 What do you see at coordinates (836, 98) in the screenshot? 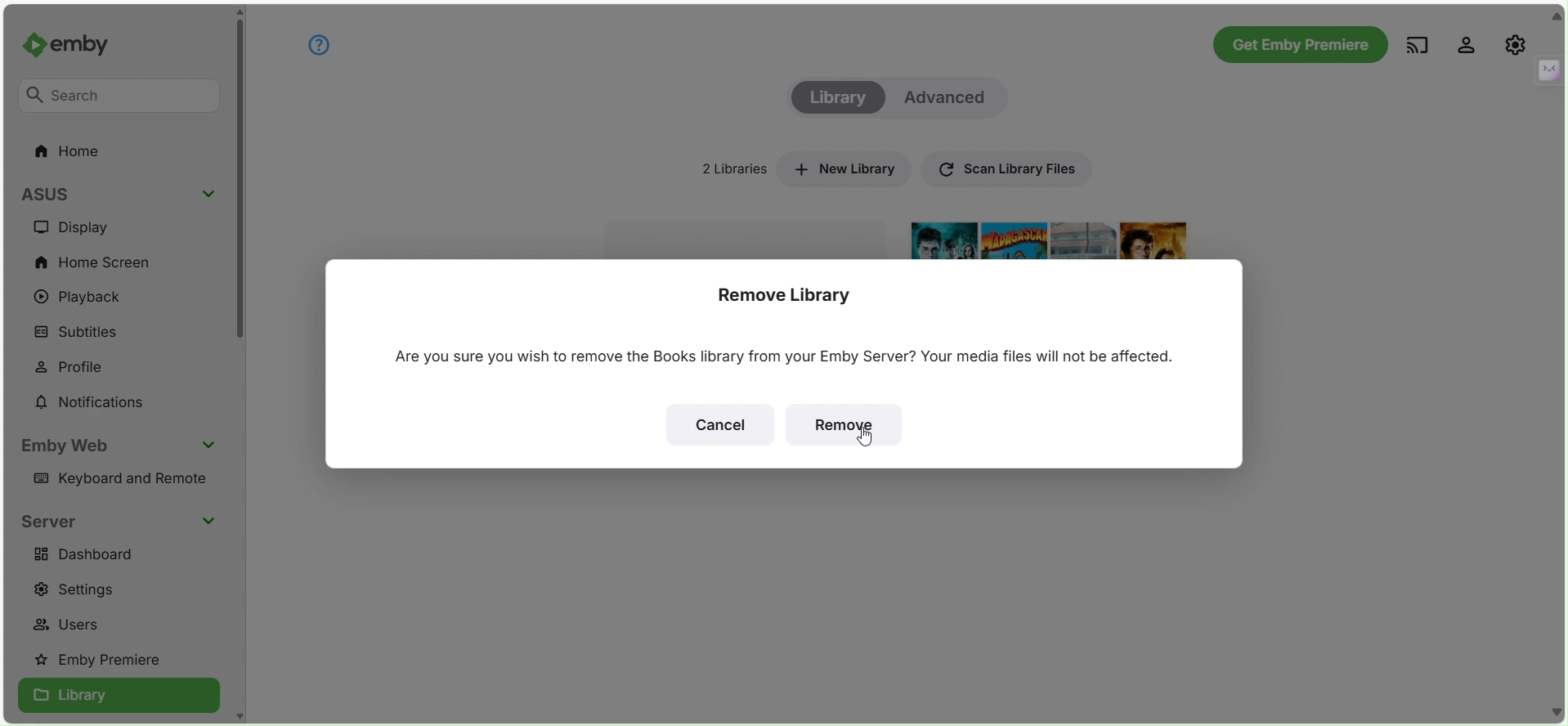
I see `Library` at bounding box center [836, 98].